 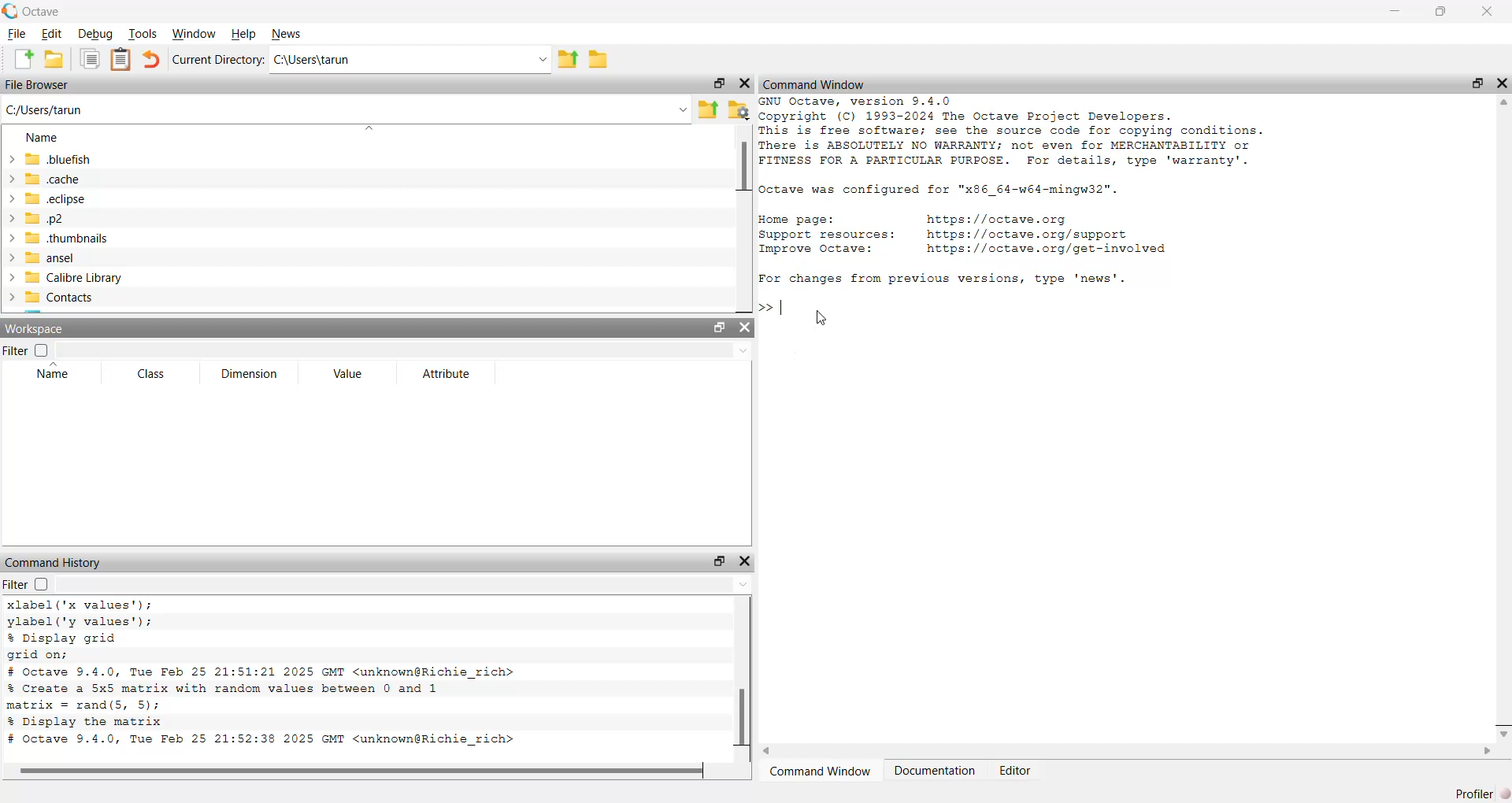 I want to click on Ci\Users\tarun, so click(x=373, y=62).